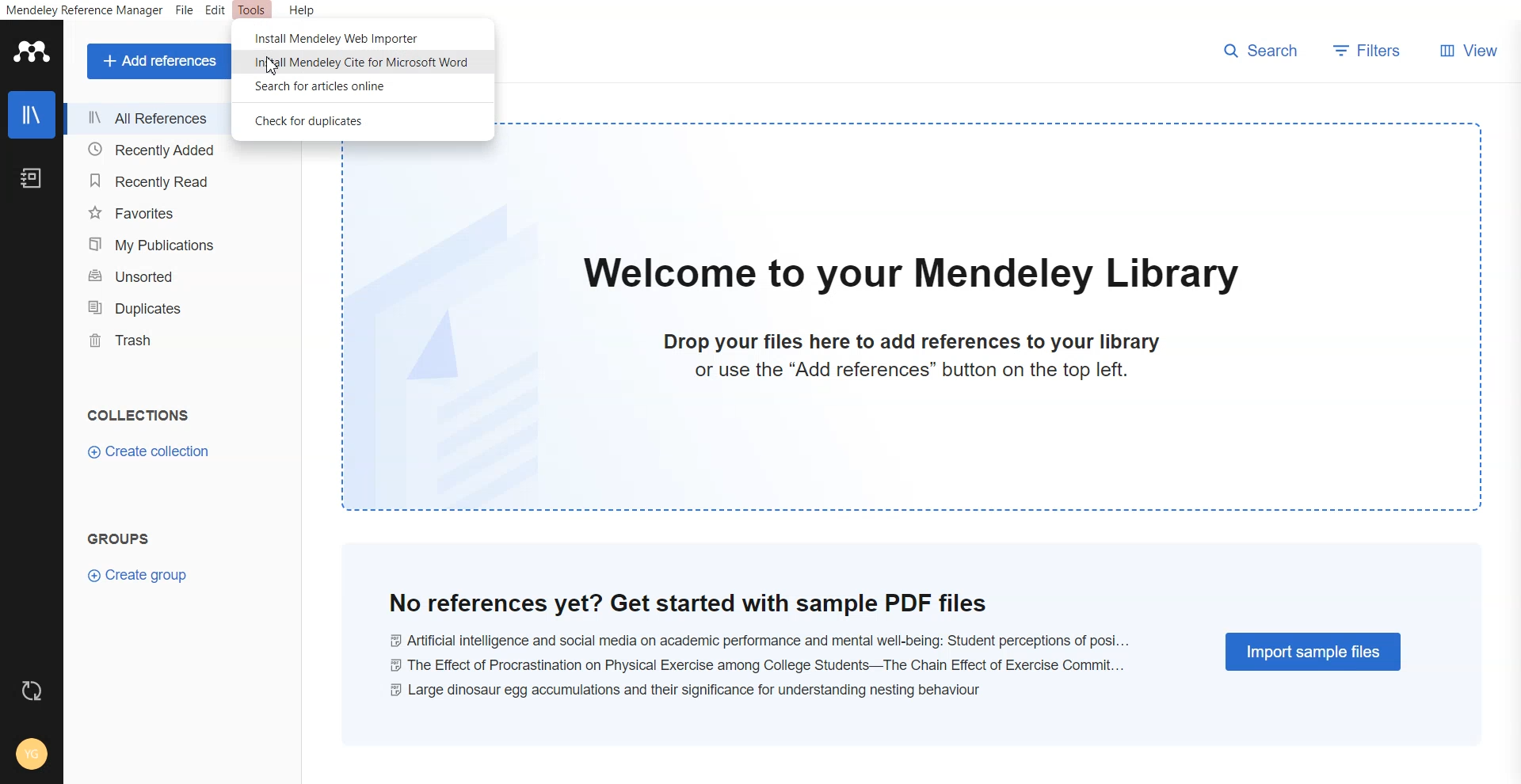  What do you see at coordinates (361, 89) in the screenshot?
I see `Search for article online` at bounding box center [361, 89].